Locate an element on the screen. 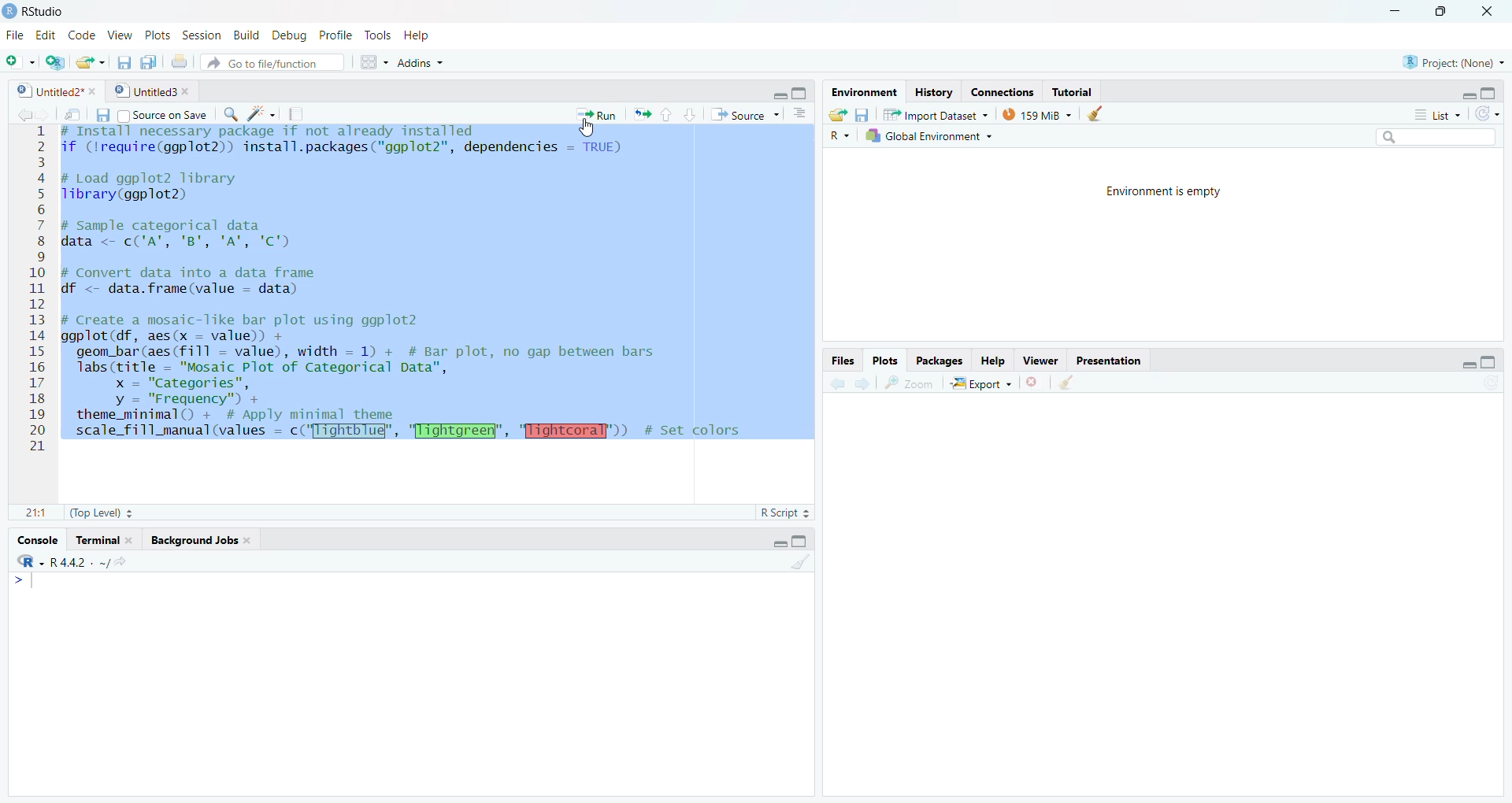  Search is located at coordinates (1434, 136).